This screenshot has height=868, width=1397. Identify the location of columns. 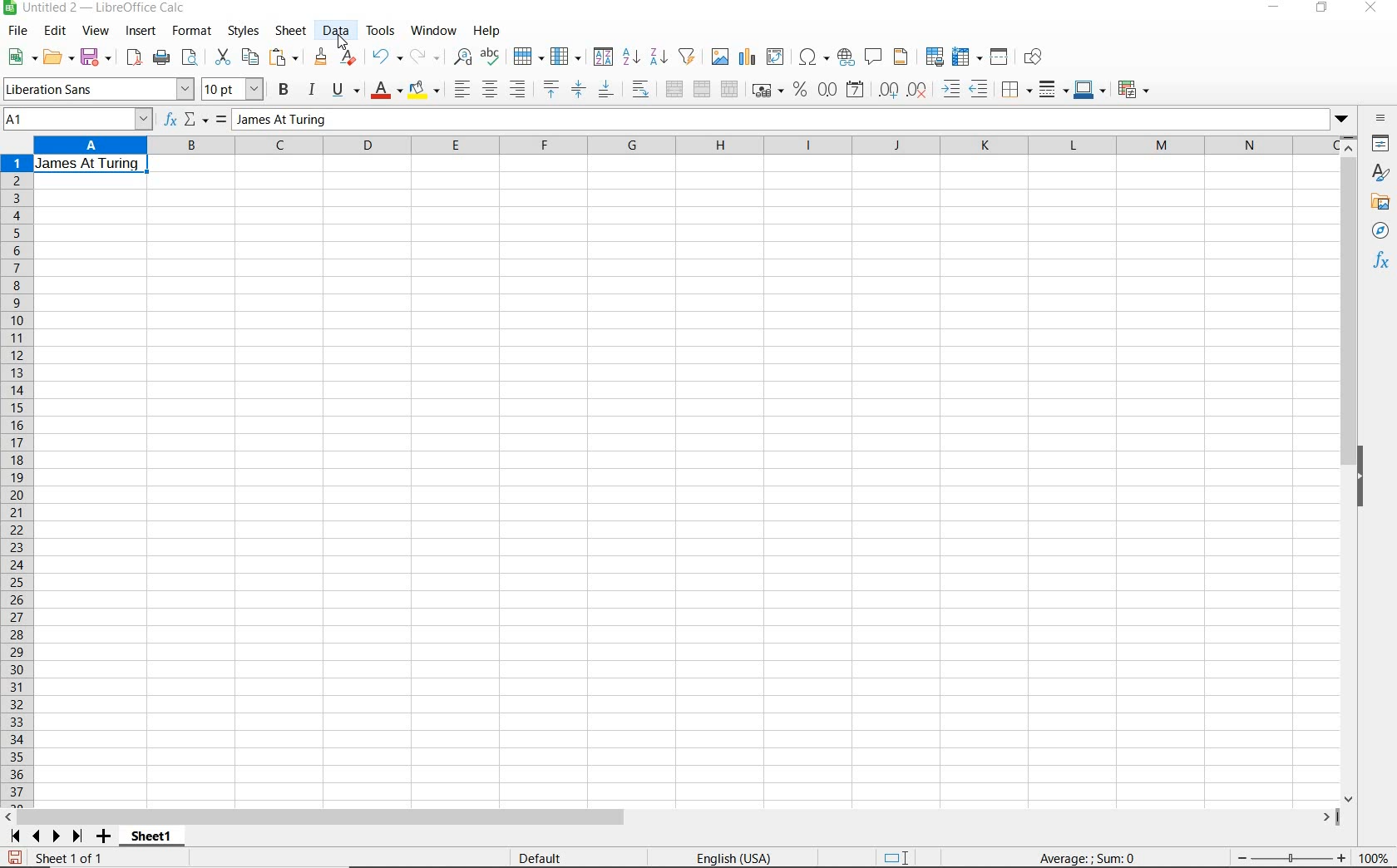
(688, 145).